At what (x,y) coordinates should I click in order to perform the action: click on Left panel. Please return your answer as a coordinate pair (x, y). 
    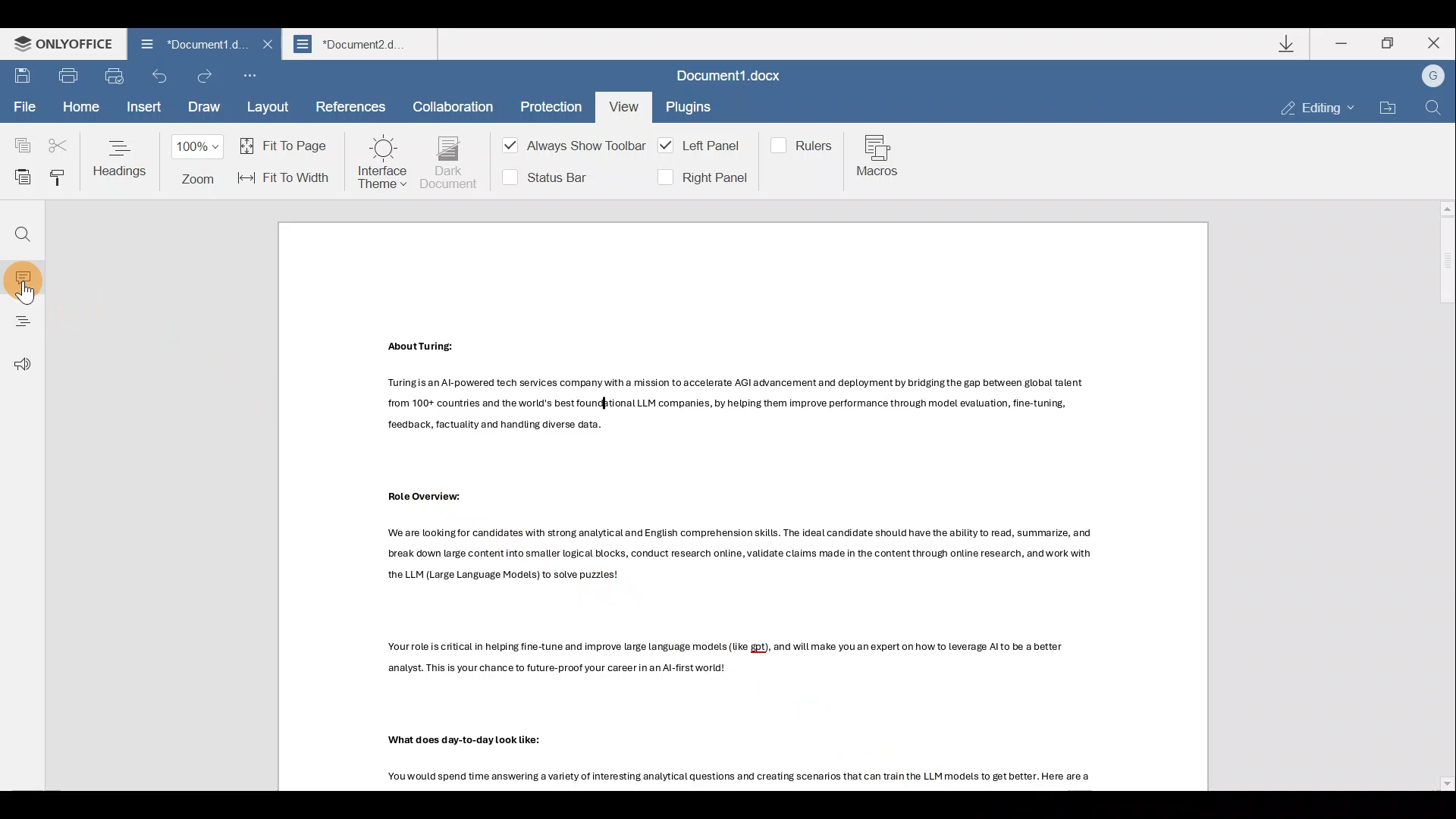
    Looking at the image, I should click on (702, 146).